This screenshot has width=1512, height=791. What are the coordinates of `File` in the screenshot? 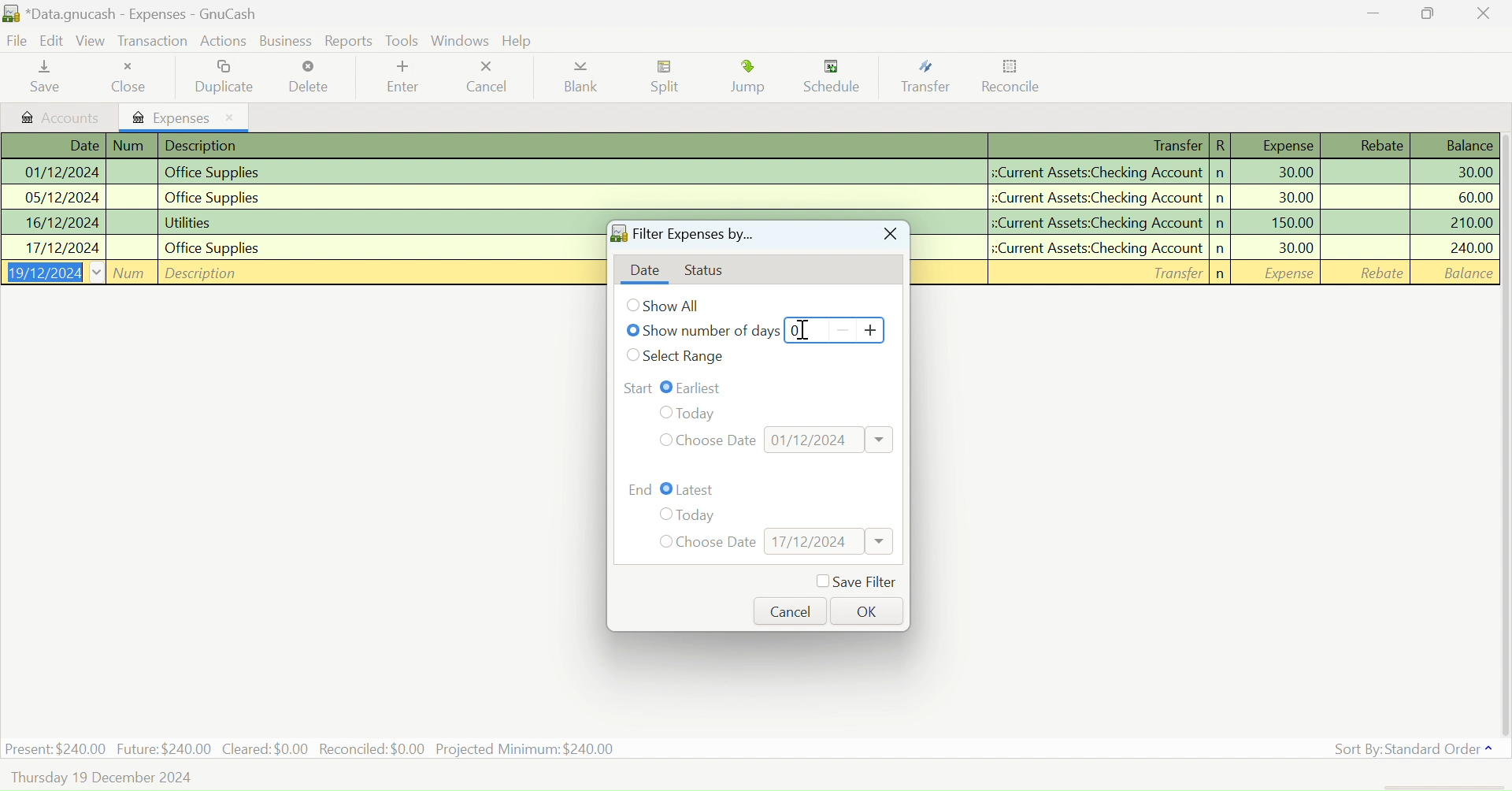 It's located at (16, 43).